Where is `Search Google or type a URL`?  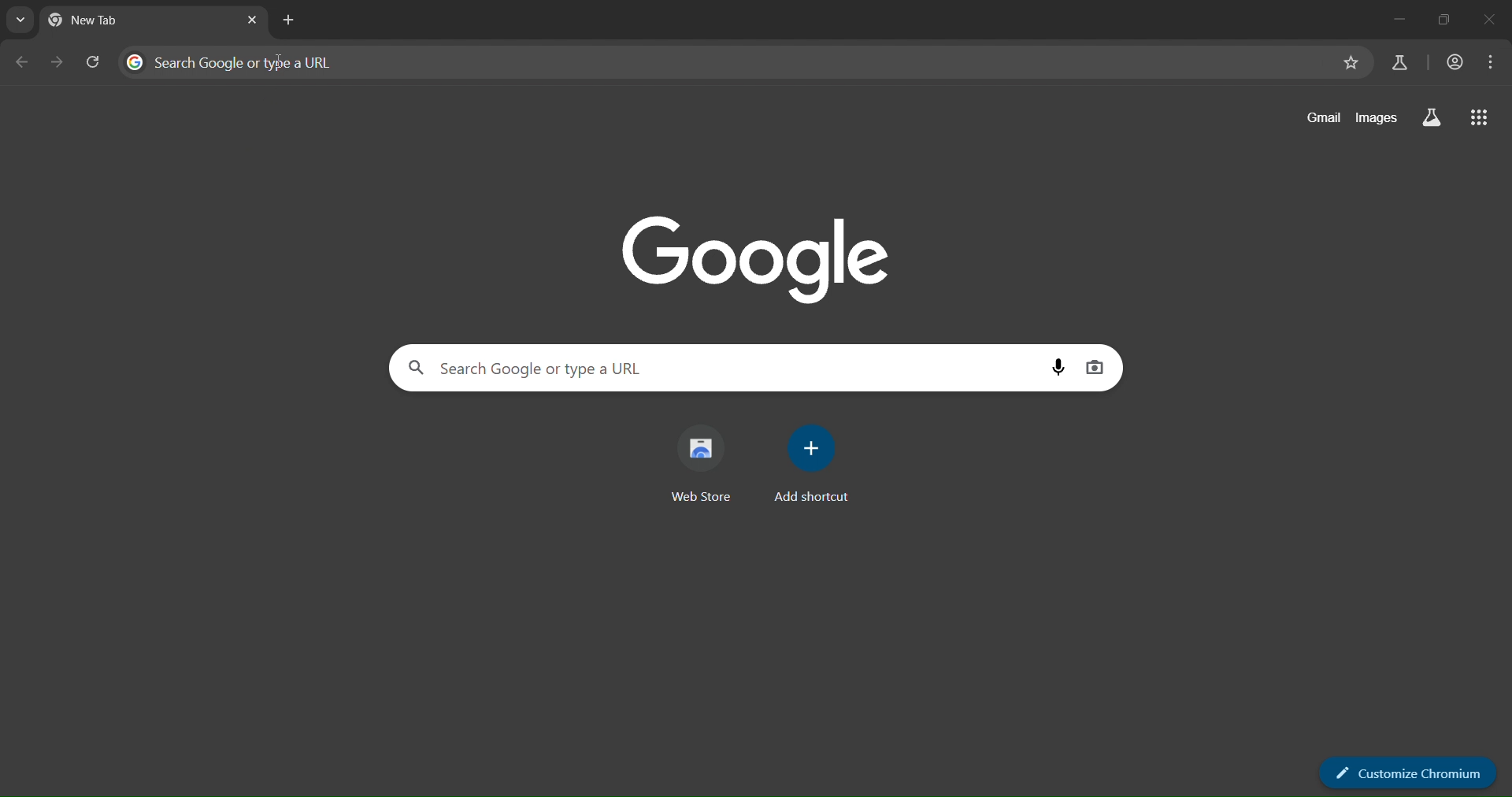
Search Google or type a URL is located at coordinates (719, 368).